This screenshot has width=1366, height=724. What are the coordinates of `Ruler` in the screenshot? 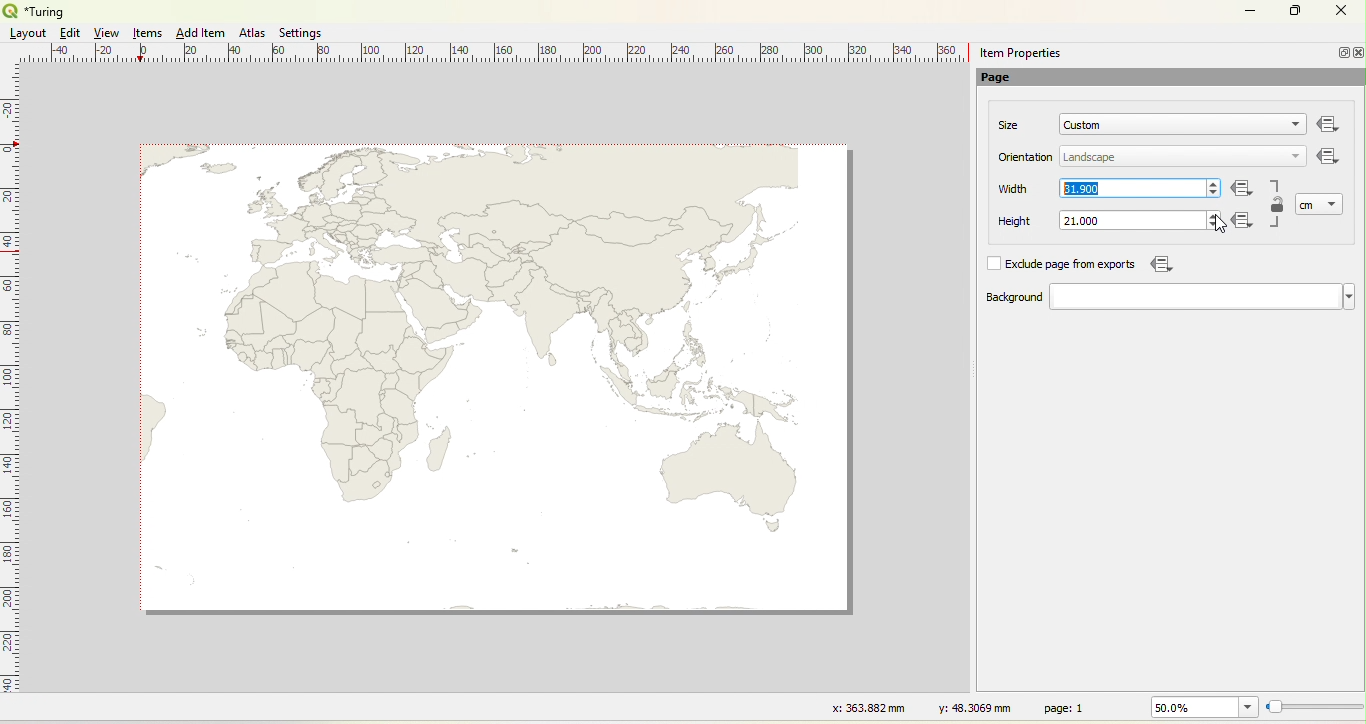 It's located at (11, 391).